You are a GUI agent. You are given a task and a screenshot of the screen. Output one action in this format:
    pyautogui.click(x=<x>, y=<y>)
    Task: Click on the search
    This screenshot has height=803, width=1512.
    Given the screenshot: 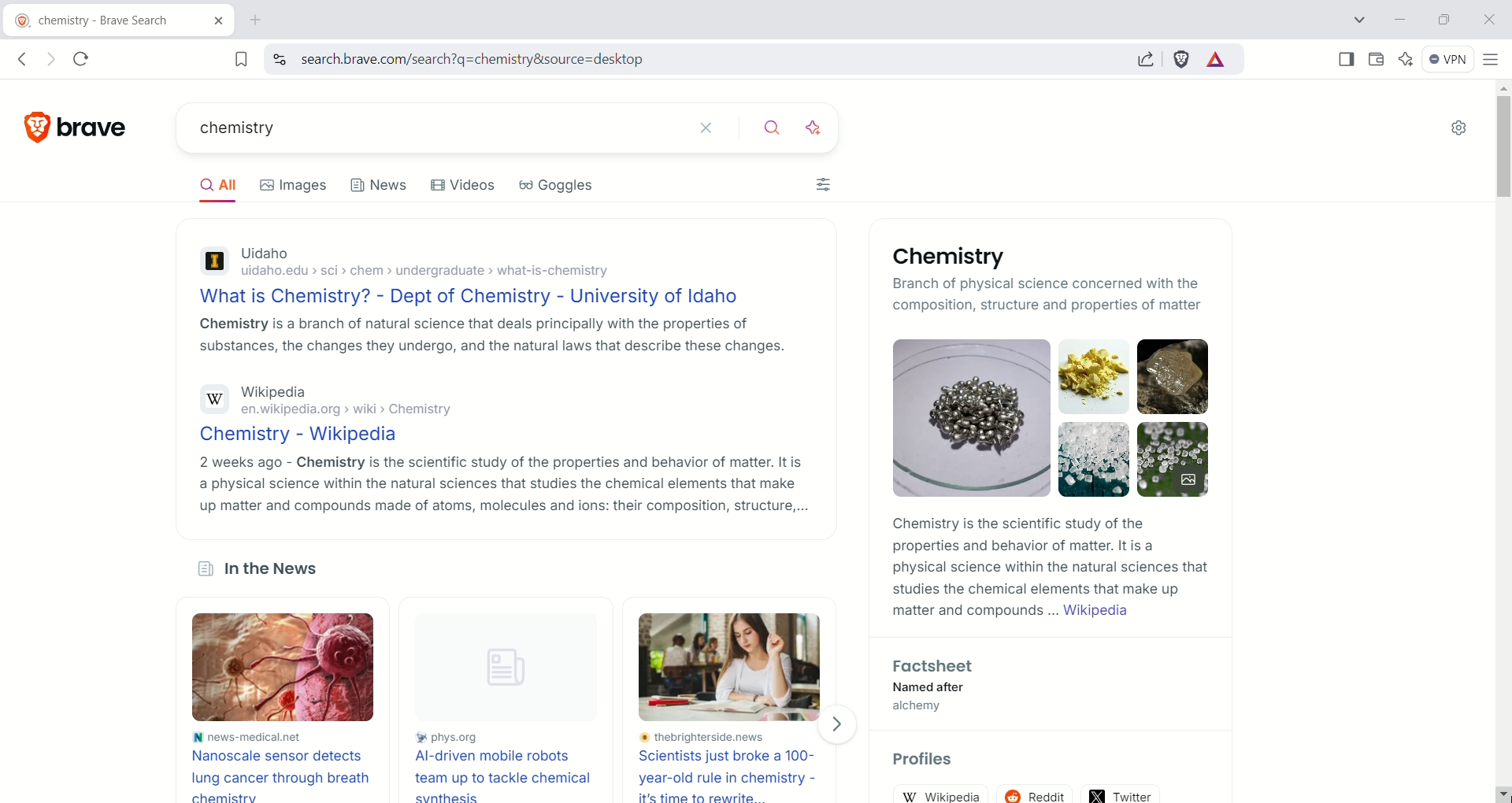 What is the action you would take?
    pyautogui.click(x=774, y=125)
    